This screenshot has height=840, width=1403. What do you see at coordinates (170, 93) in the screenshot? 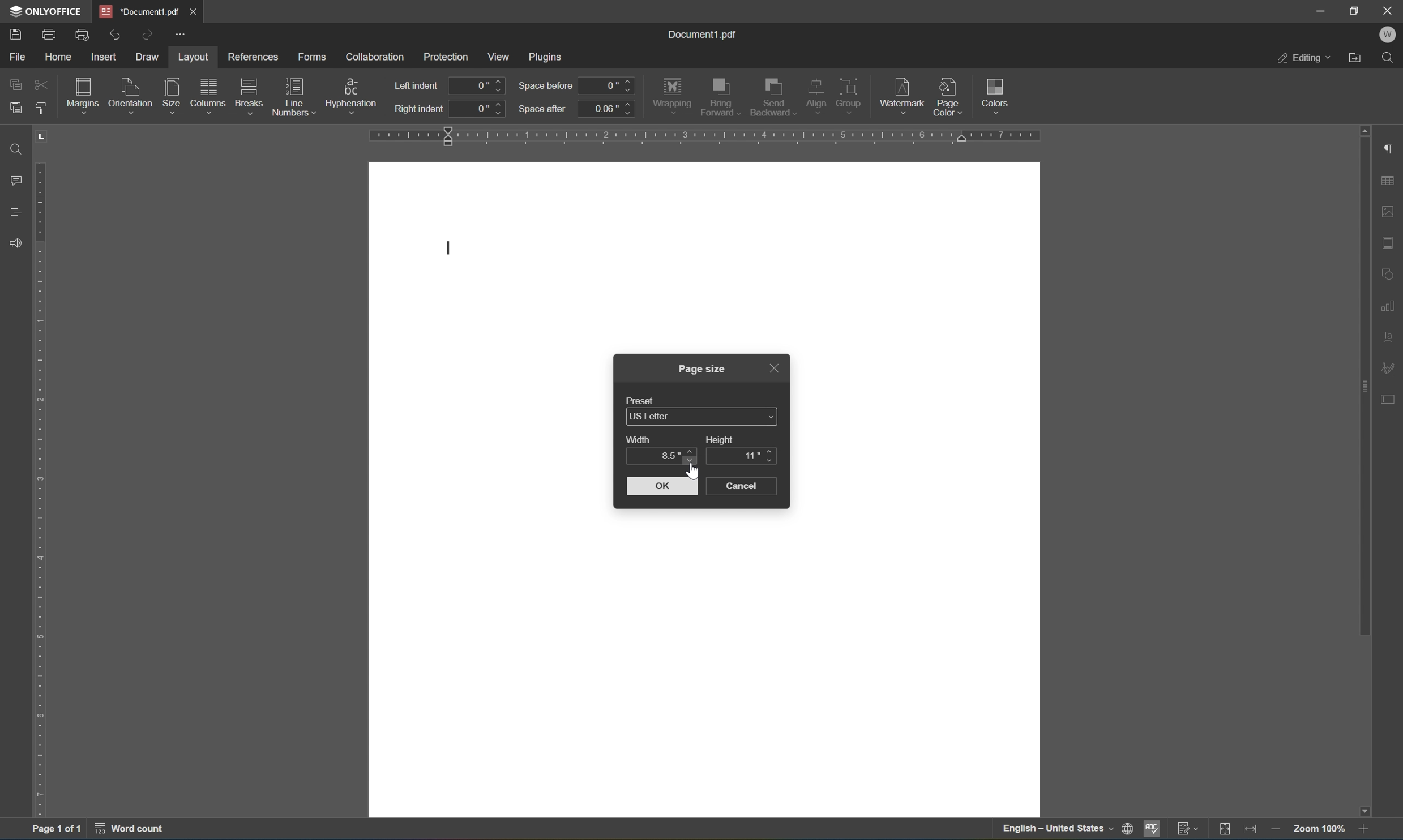
I see `size with active cursor` at bounding box center [170, 93].